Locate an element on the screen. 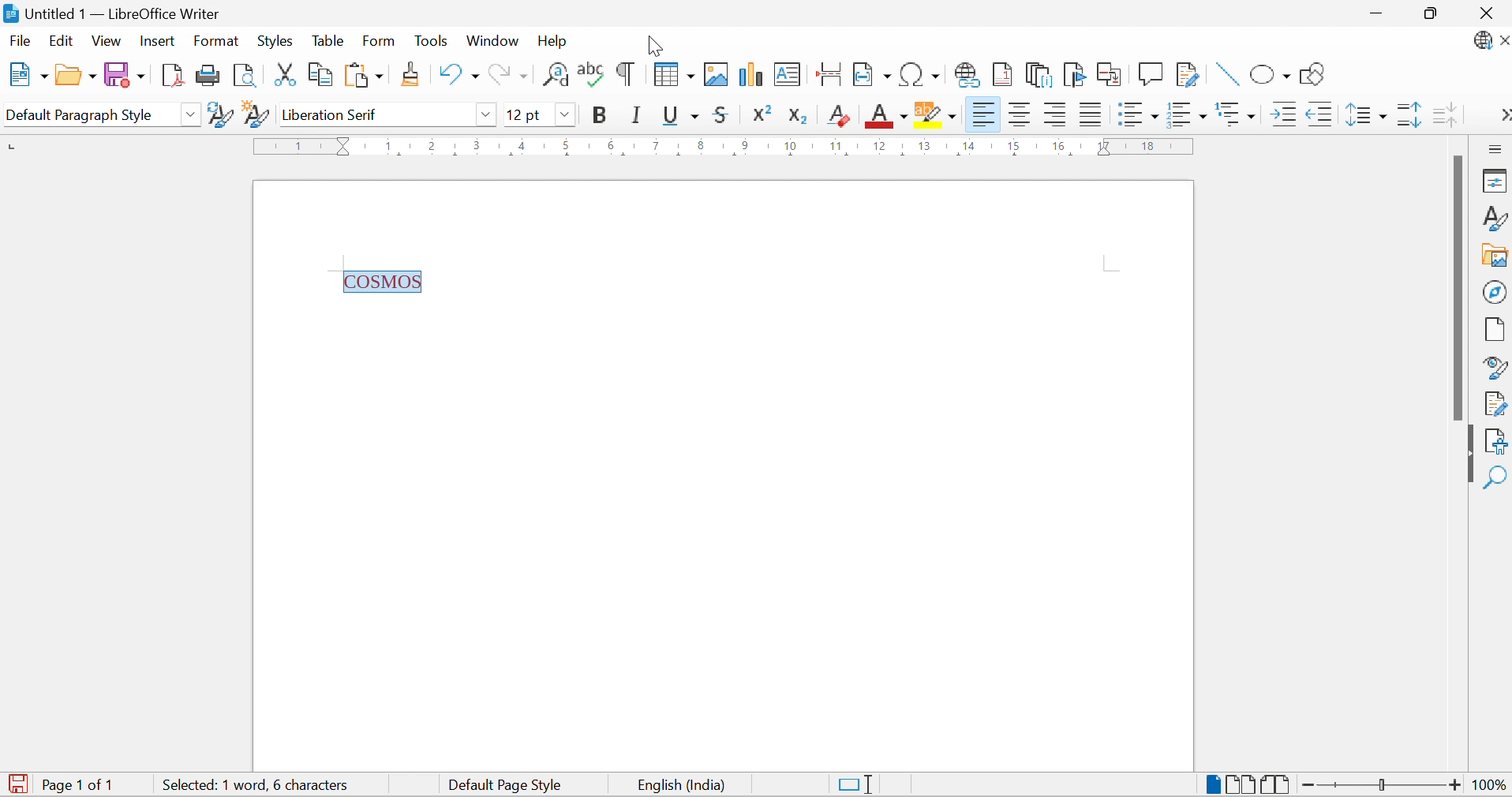  Single-page View is located at coordinates (1212, 782).